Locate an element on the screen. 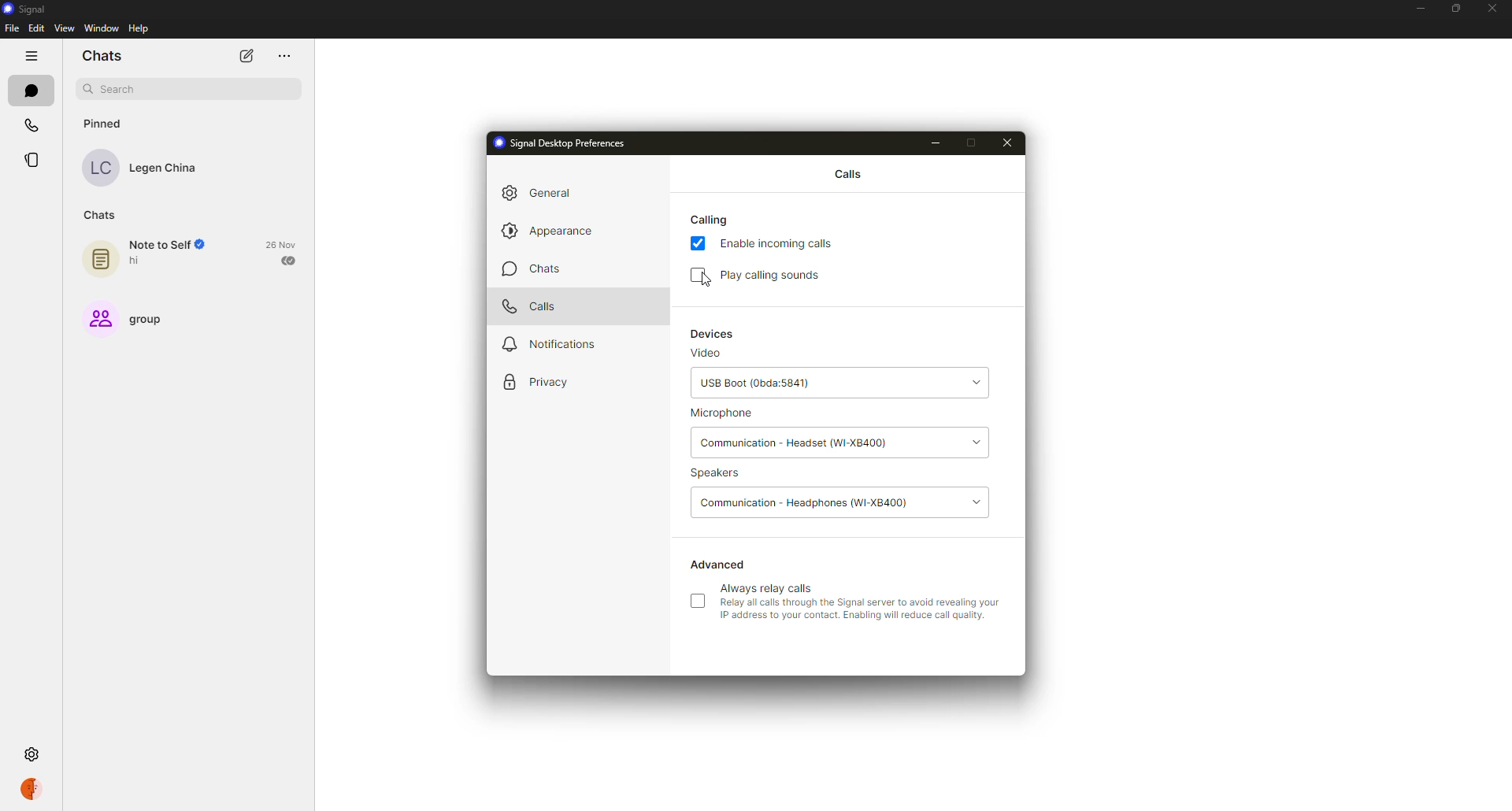  hide tabs is located at coordinates (30, 54).